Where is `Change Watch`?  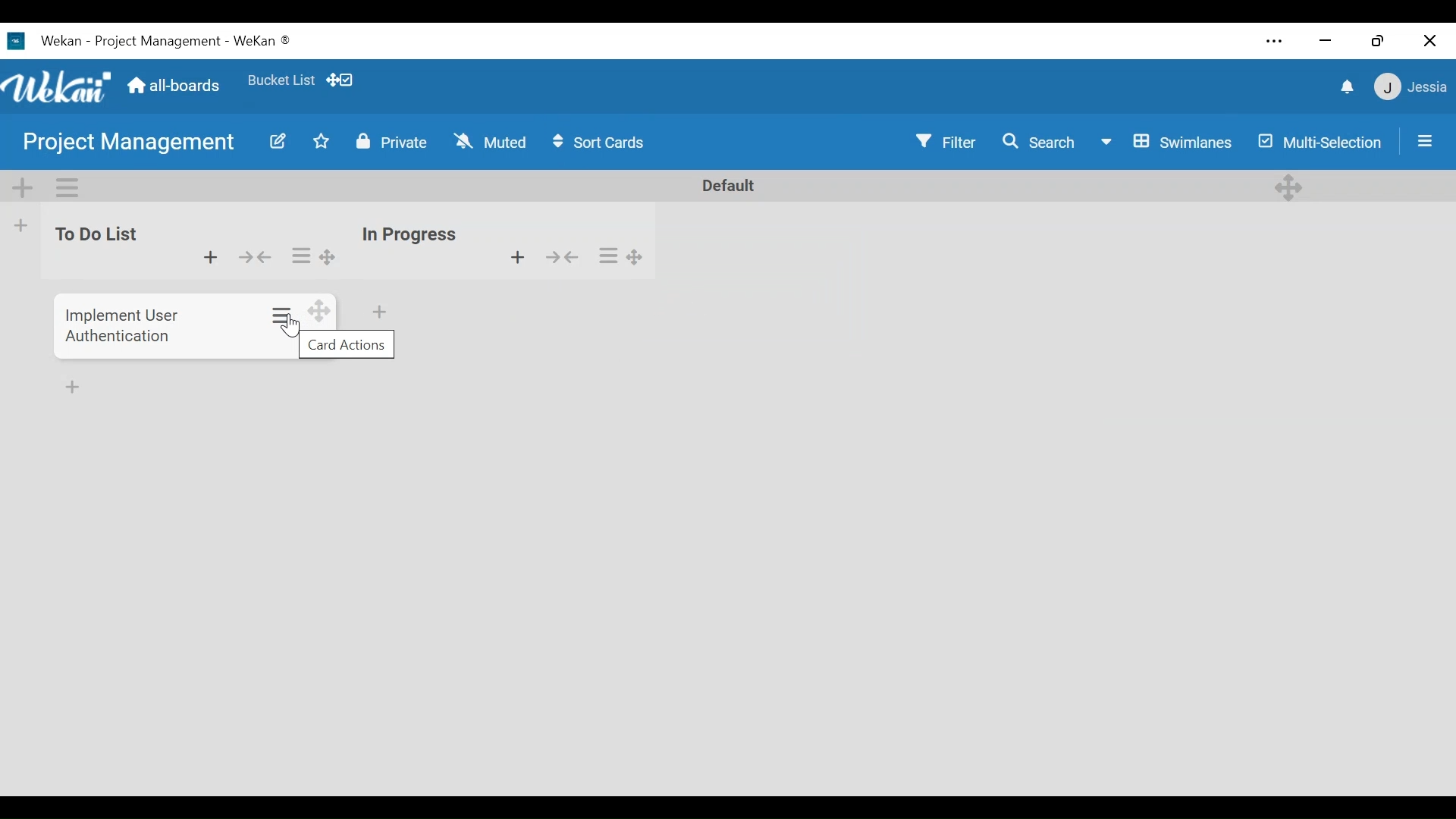 Change Watch is located at coordinates (493, 141).